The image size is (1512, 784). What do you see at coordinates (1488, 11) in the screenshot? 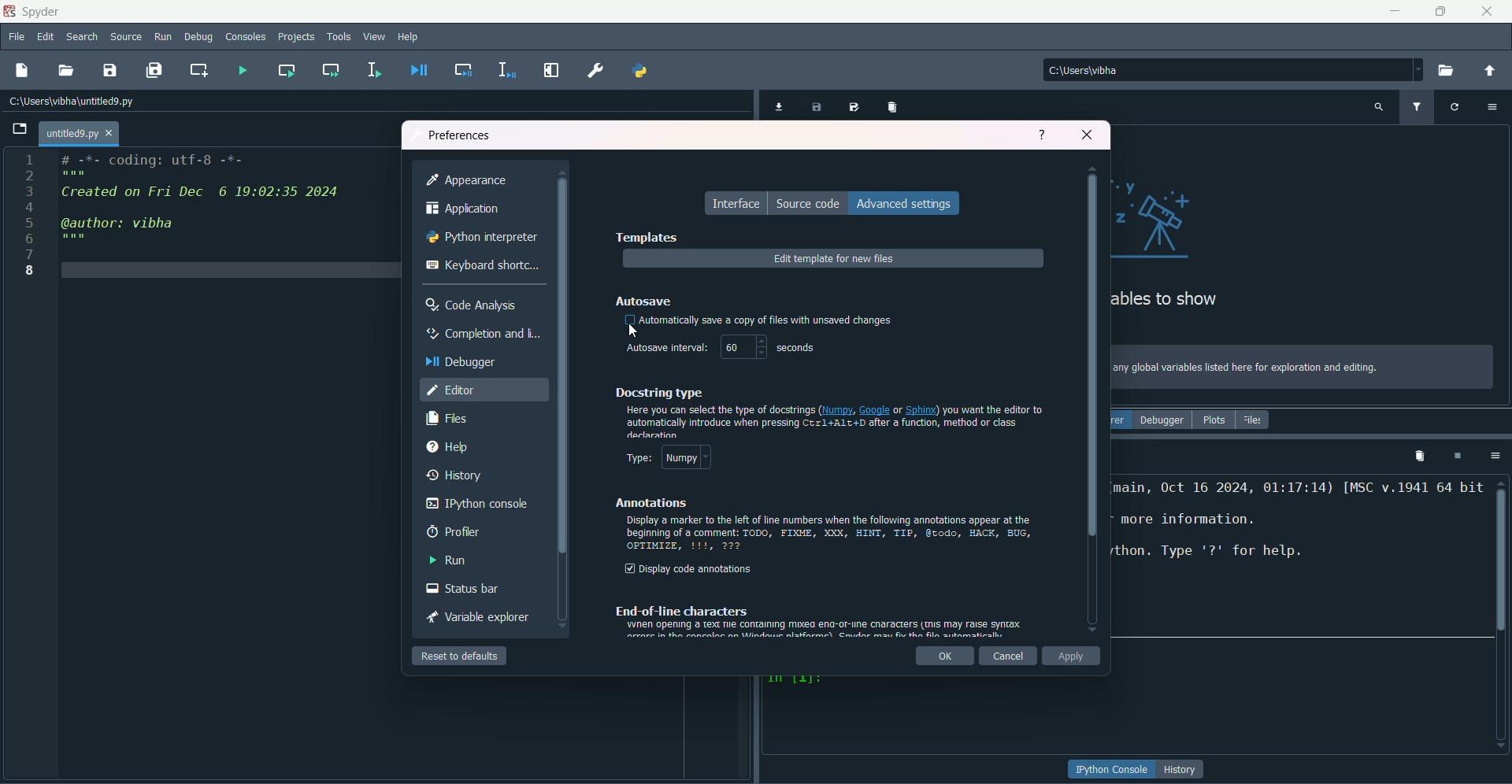
I see `close` at bounding box center [1488, 11].